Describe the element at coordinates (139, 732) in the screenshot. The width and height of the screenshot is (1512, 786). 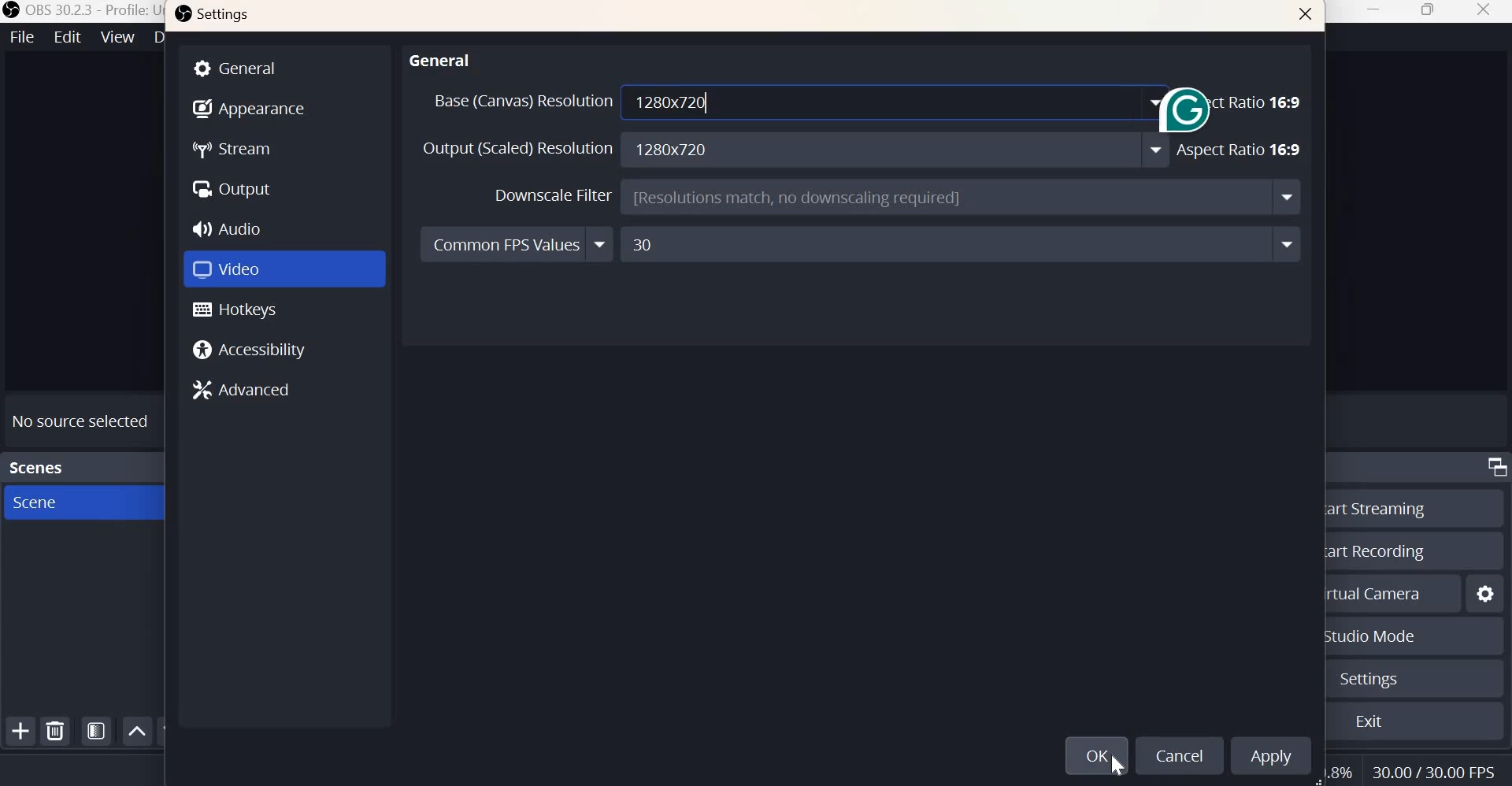
I see `Move scene up` at that location.